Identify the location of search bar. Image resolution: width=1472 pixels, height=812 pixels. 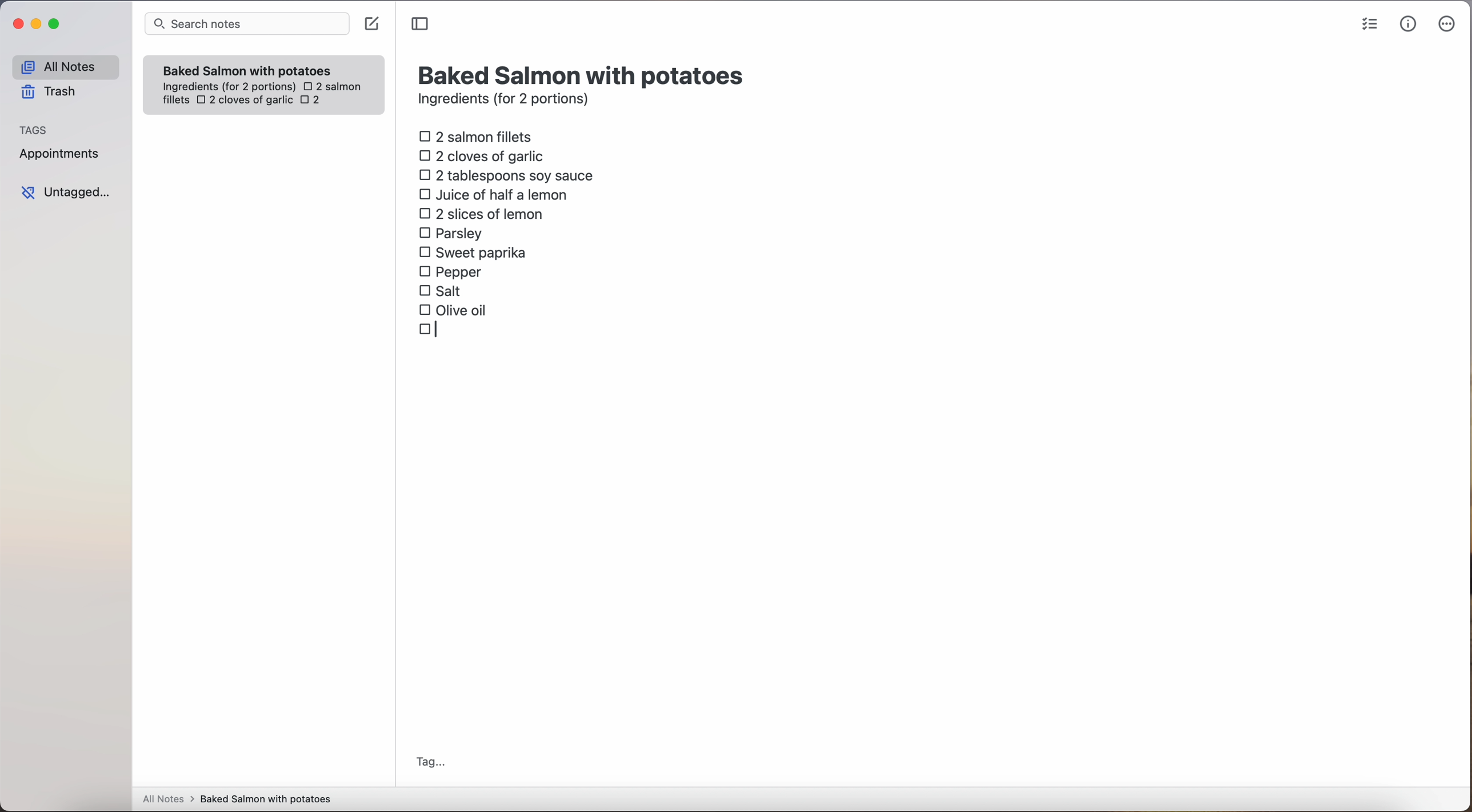
(246, 25).